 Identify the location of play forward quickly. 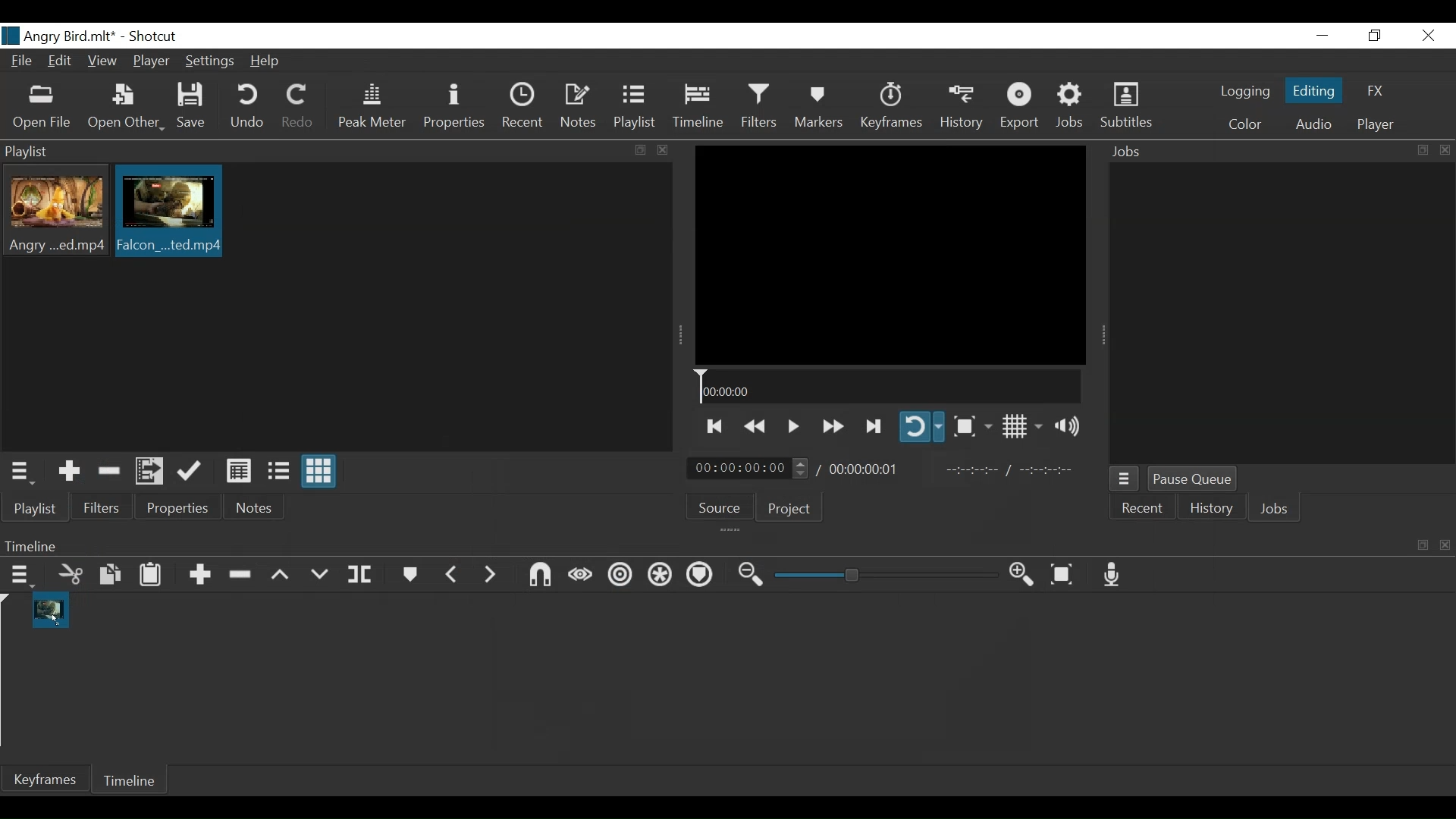
(831, 428).